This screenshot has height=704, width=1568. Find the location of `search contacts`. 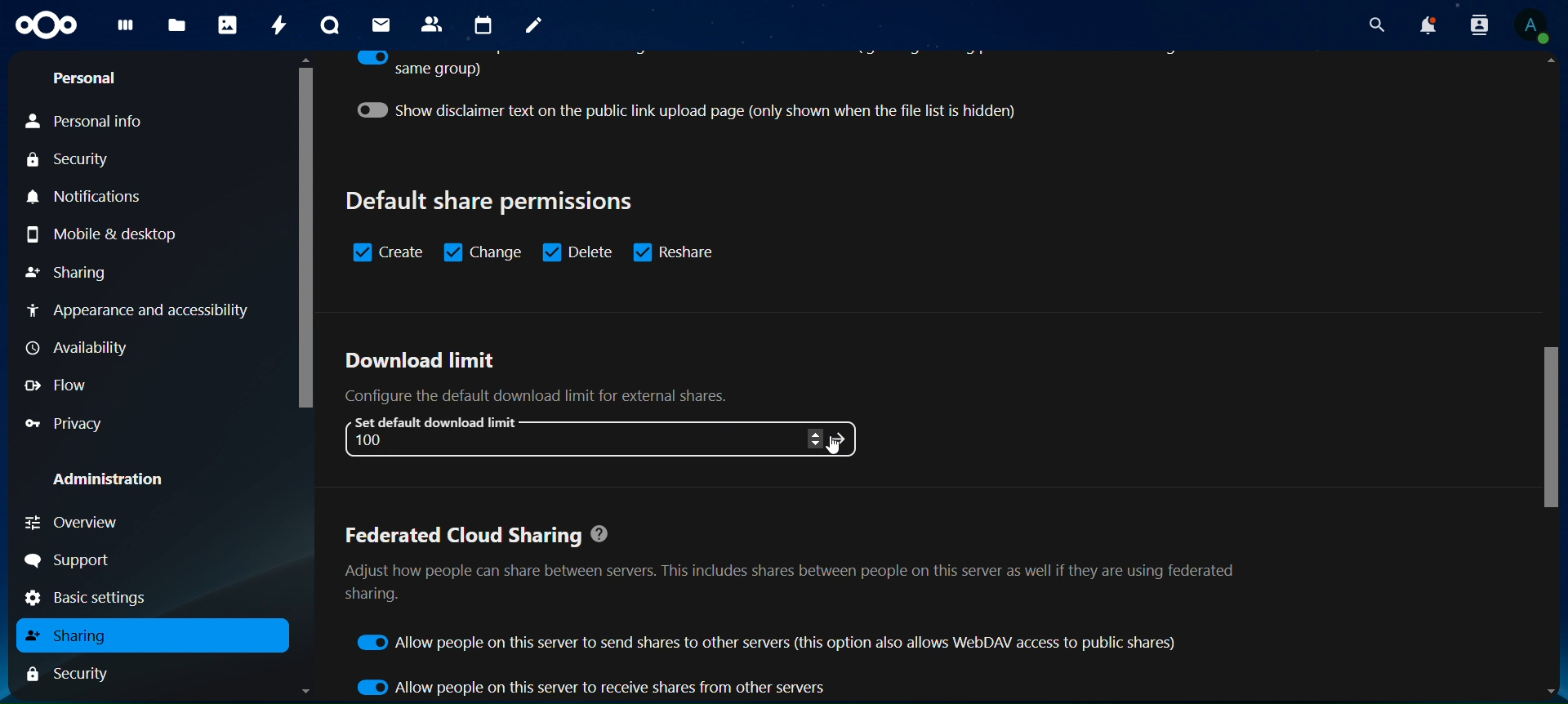

search contacts is located at coordinates (1478, 25).